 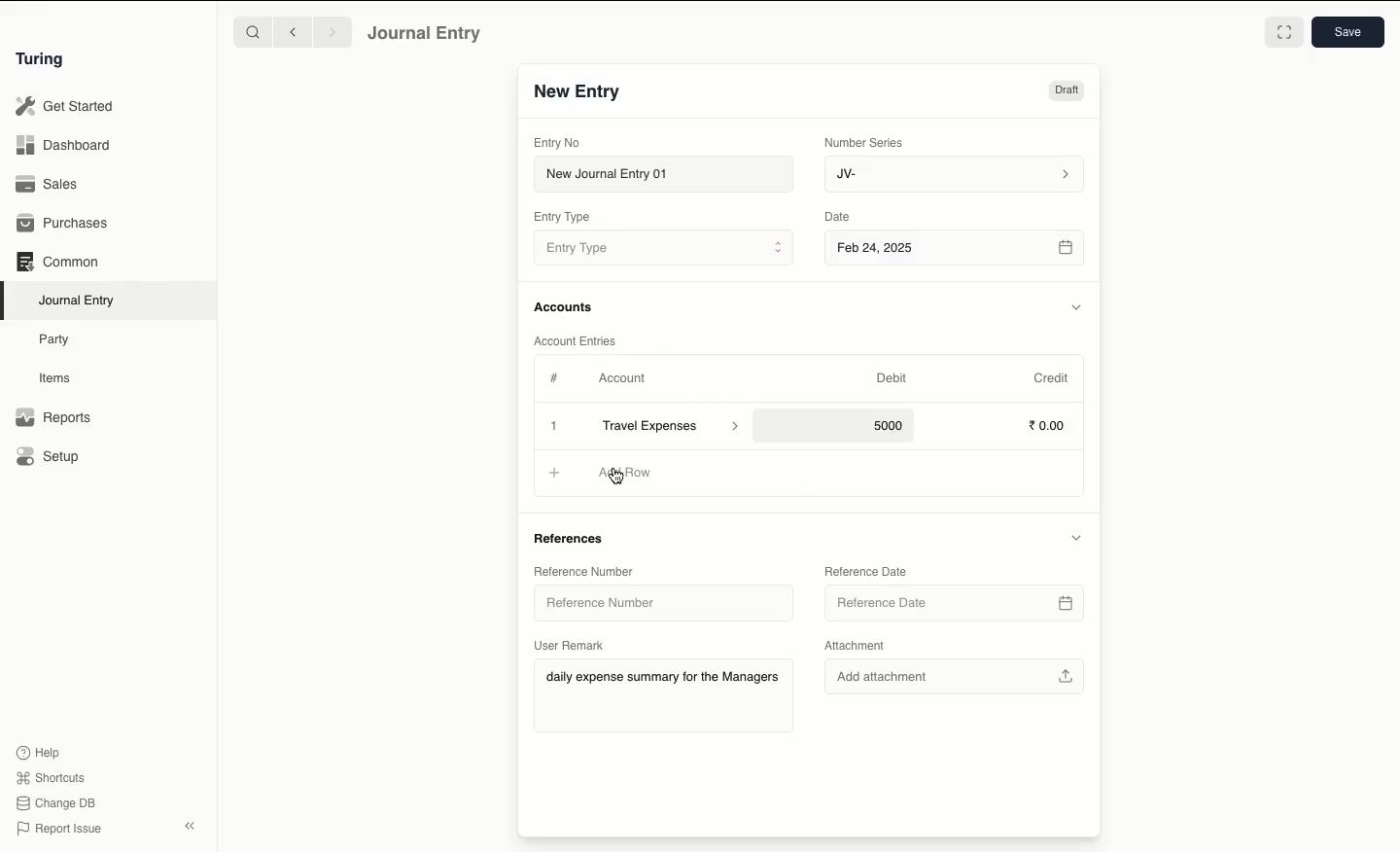 I want to click on Add, so click(x=553, y=470).